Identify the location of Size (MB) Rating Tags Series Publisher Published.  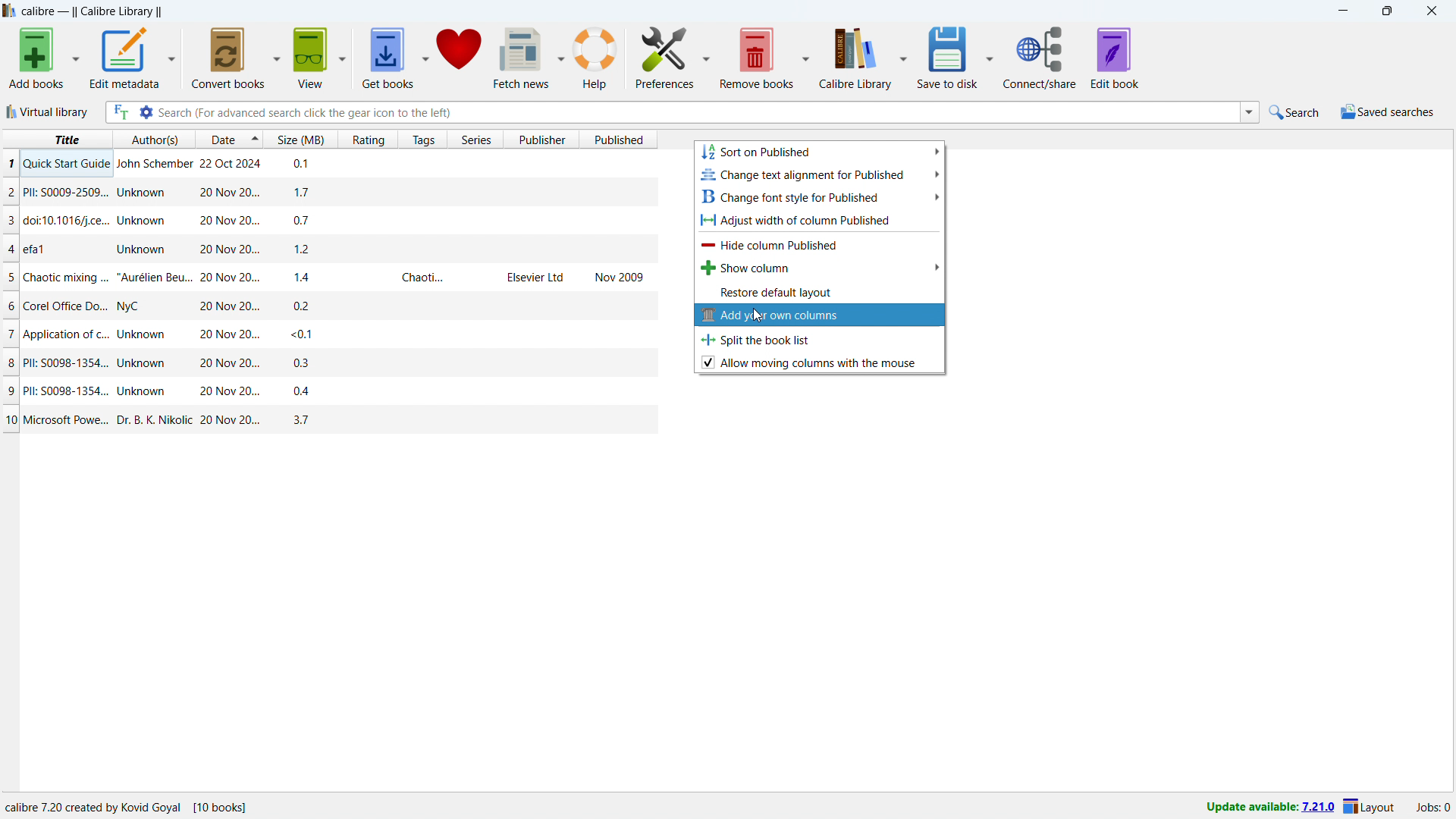
(461, 140).